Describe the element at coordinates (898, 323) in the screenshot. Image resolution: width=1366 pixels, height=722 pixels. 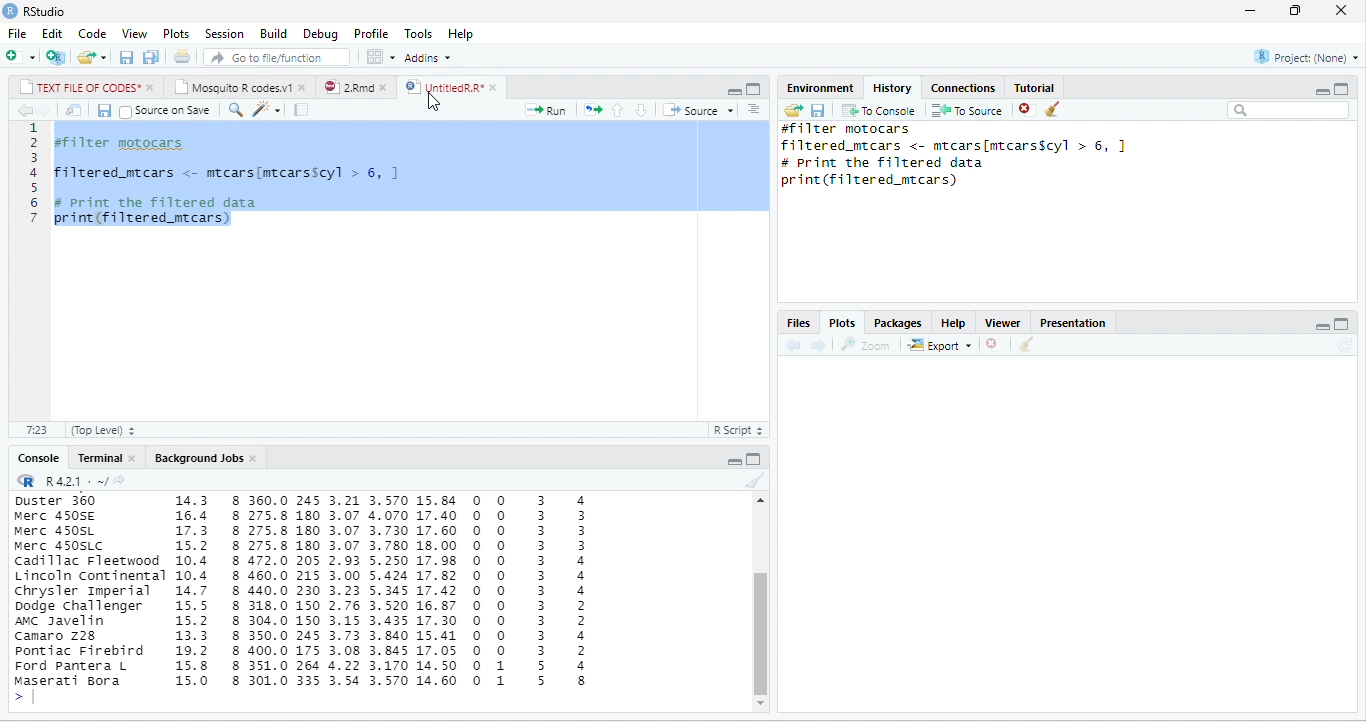
I see `Packages` at that location.